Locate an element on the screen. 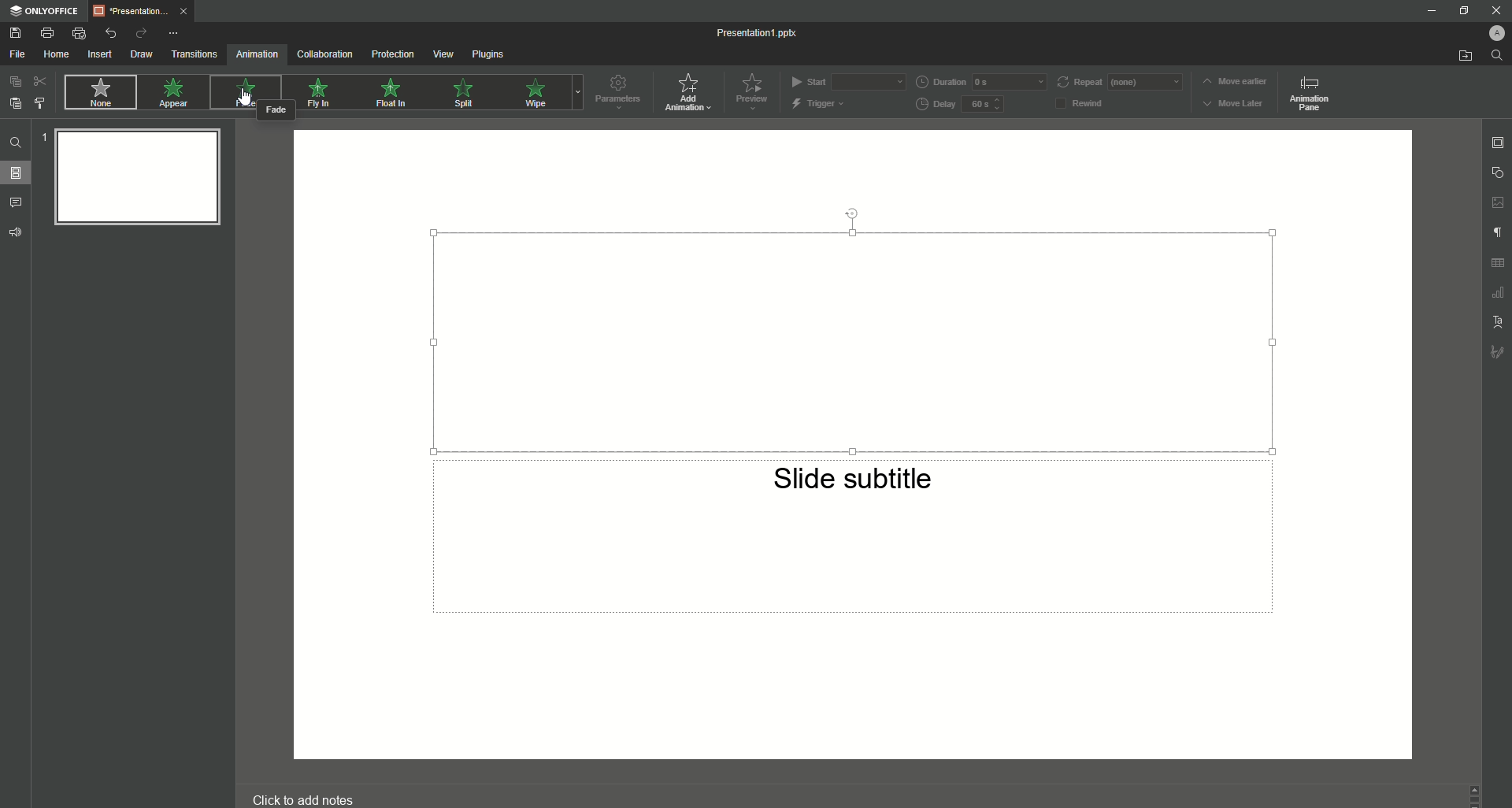 The image size is (1512, 808). Find is located at coordinates (16, 143).